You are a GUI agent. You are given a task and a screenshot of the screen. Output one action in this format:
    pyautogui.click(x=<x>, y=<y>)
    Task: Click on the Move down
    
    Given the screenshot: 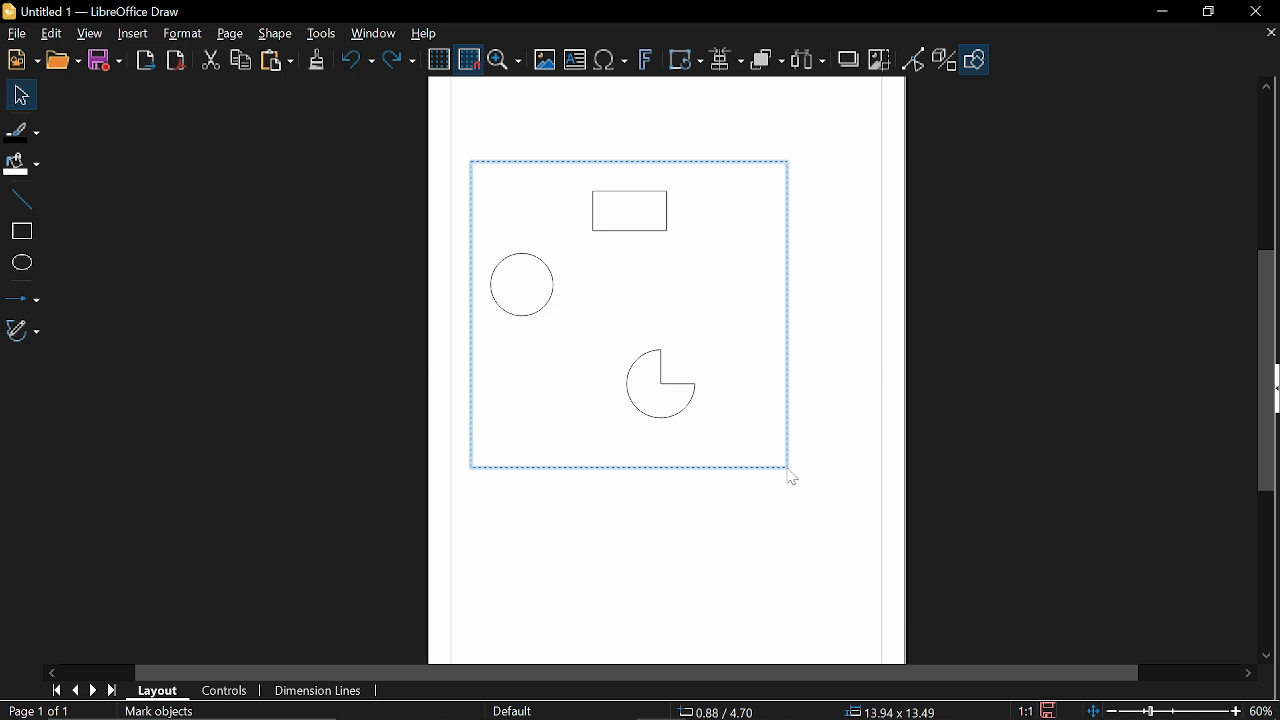 What is the action you would take?
    pyautogui.click(x=1269, y=656)
    